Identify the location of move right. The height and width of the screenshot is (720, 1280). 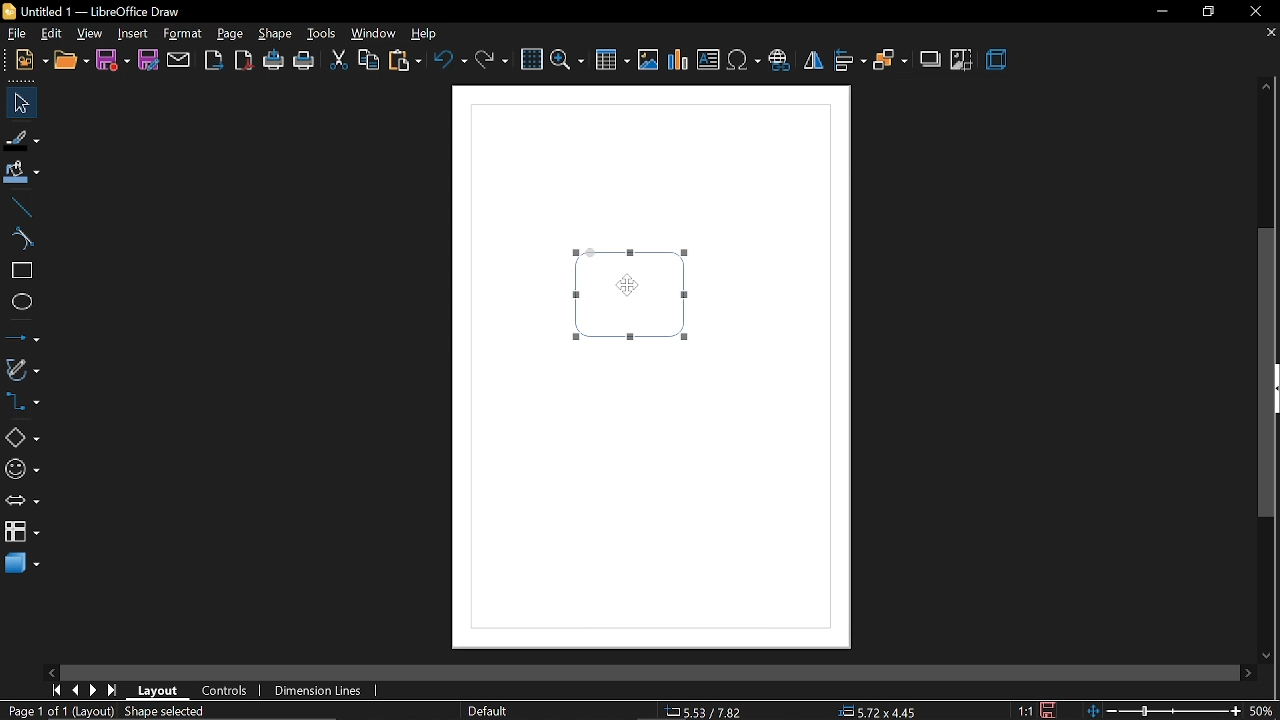
(1248, 671).